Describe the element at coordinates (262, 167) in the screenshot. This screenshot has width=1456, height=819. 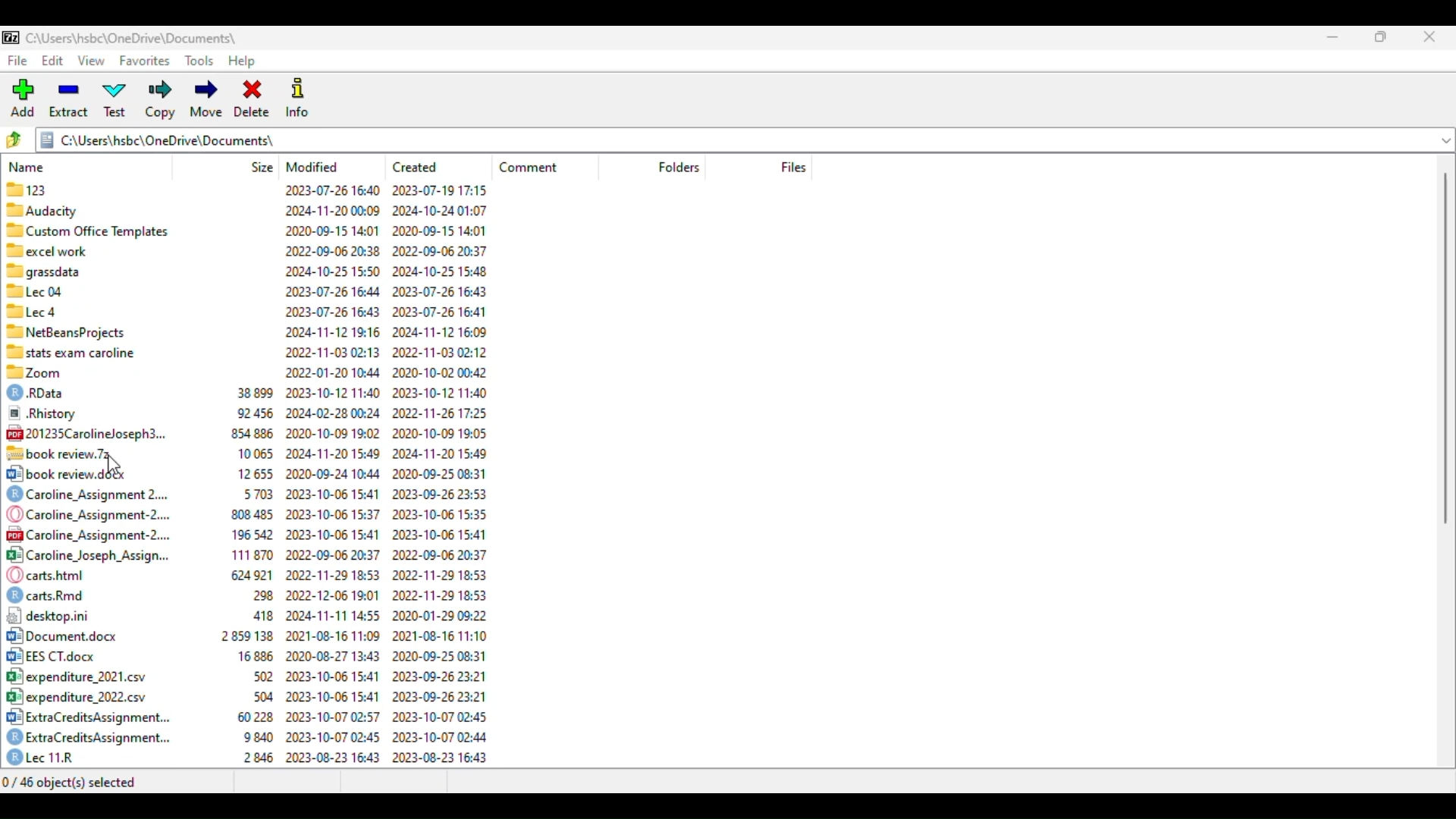
I see `size` at that location.